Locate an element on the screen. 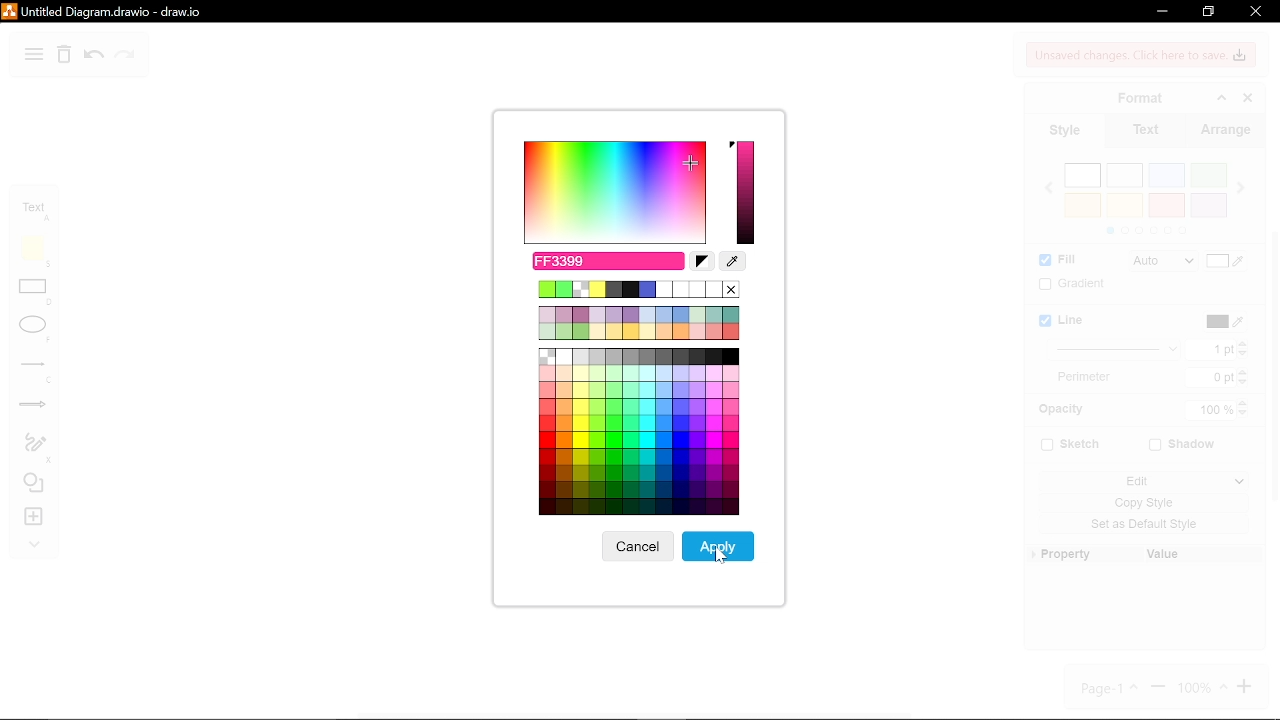 This screenshot has width=1280, height=720. cancel is located at coordinates (635, 547).